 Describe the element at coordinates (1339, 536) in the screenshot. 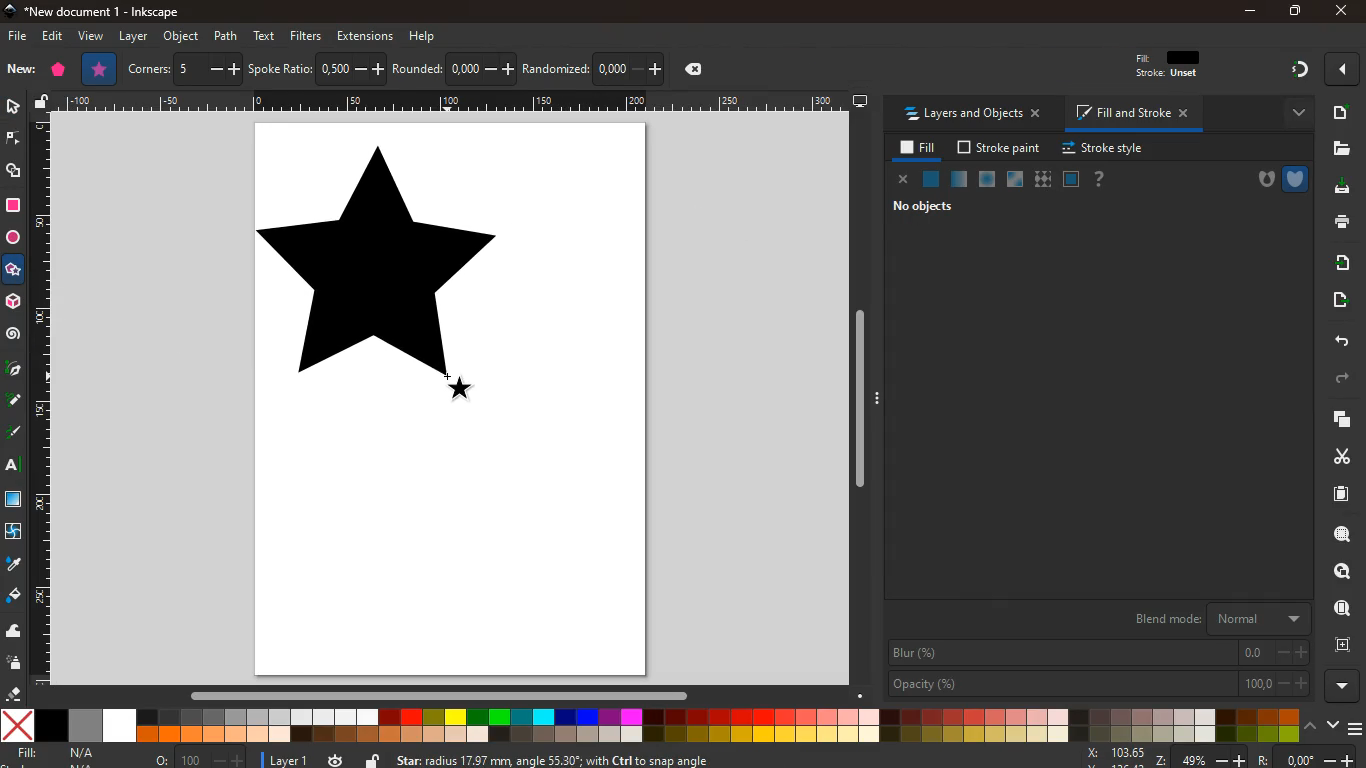

I see `zoom` at that location.